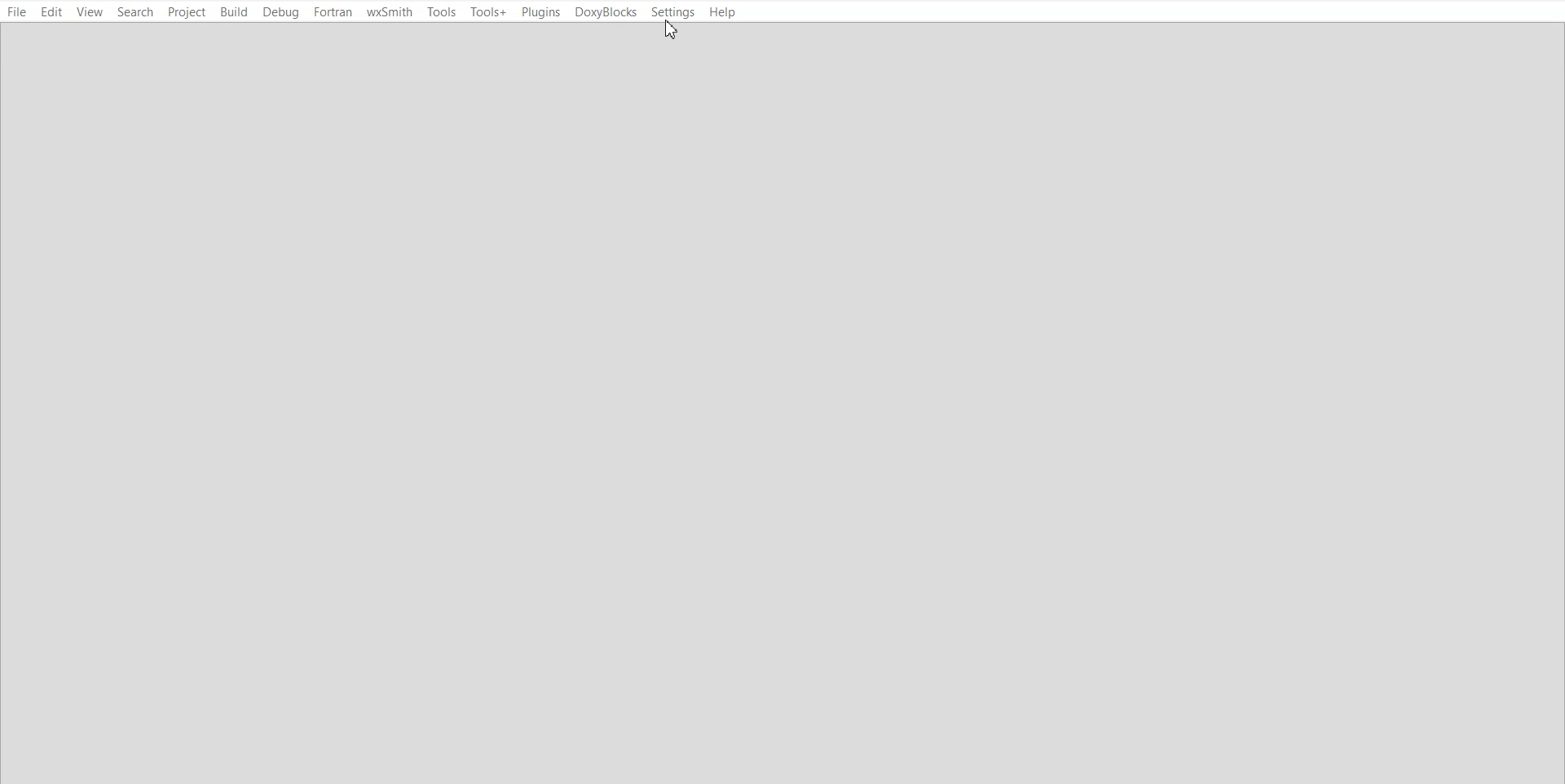 The image size is (1565, 784). What do you see at coordinates (606, 11) in the screenshot?
I see `DoxyBlocks` at bounding box center [606, 11].